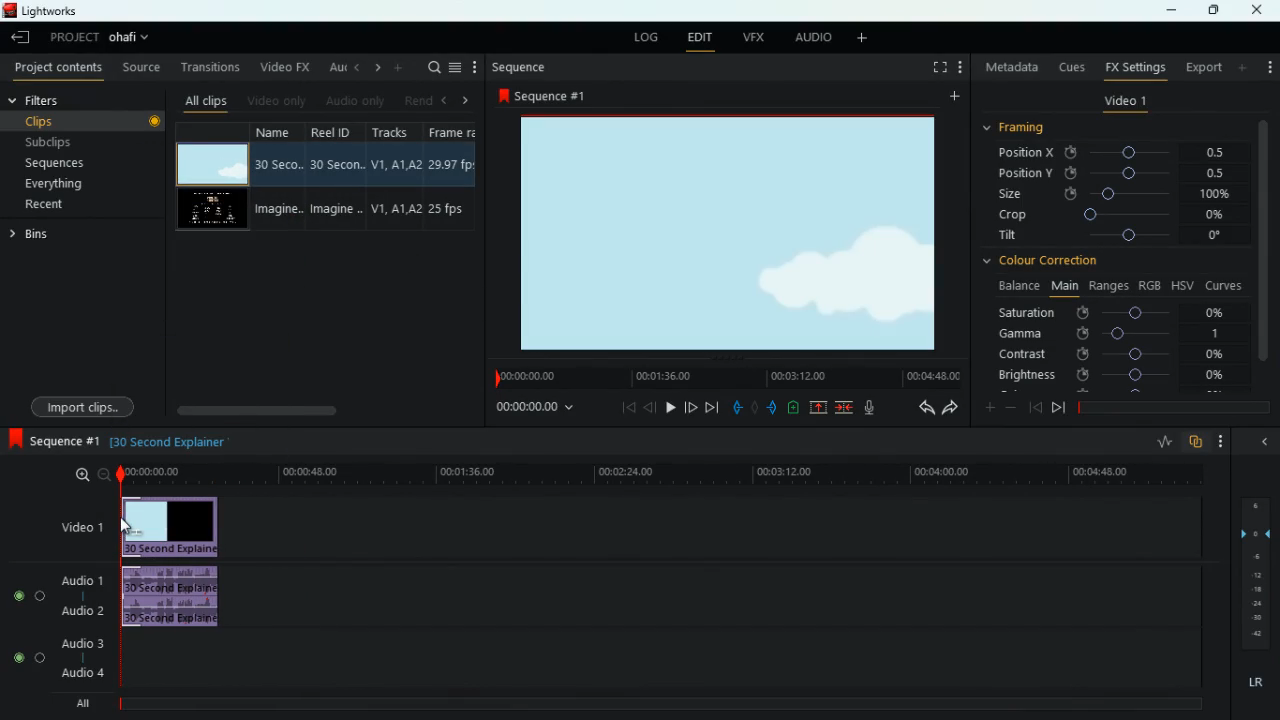 This screenshot has width=1280, height=720. I want to click on 00:00:00:00 (time), so click(536, 406).